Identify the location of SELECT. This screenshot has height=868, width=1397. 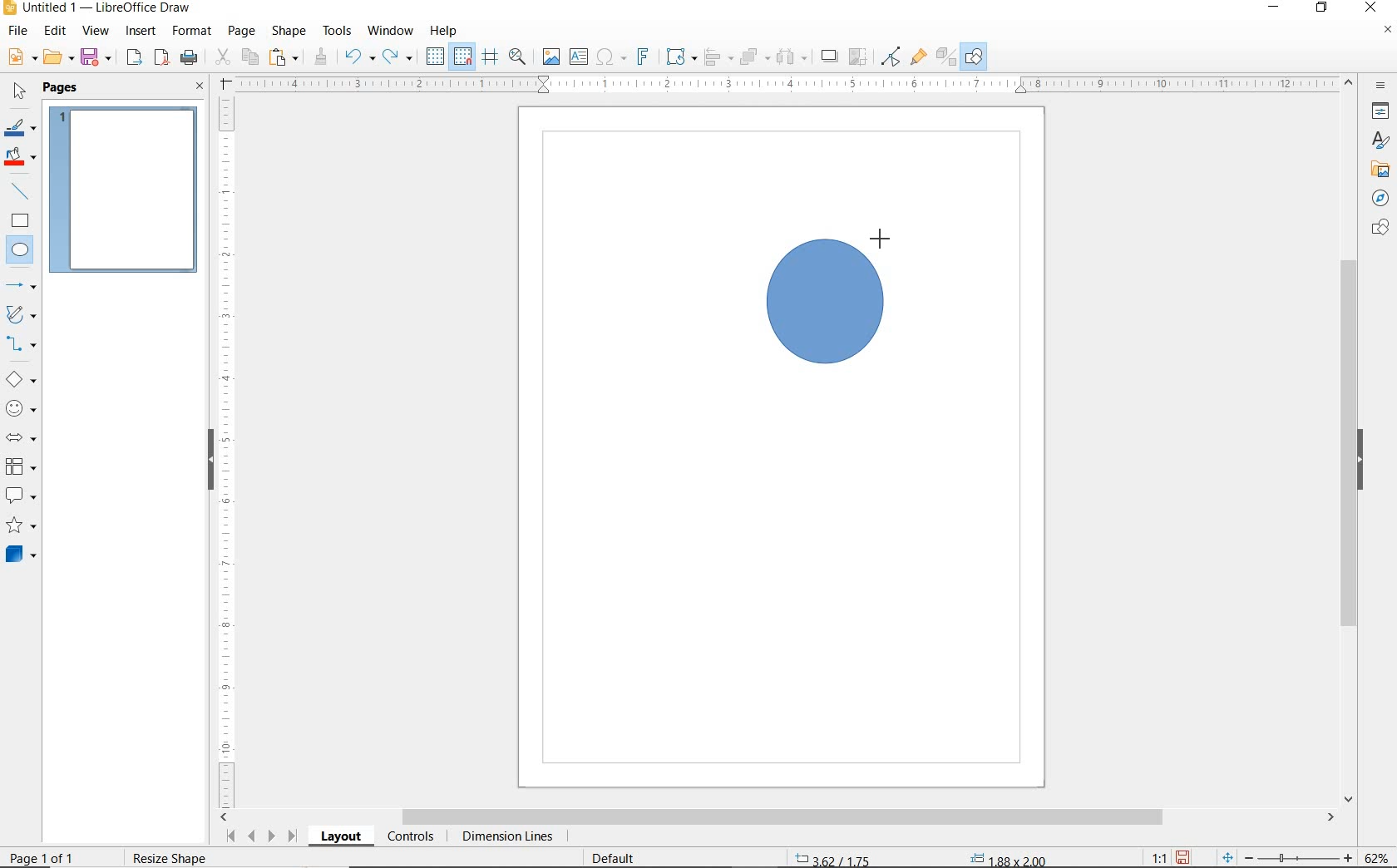
(20, 92).